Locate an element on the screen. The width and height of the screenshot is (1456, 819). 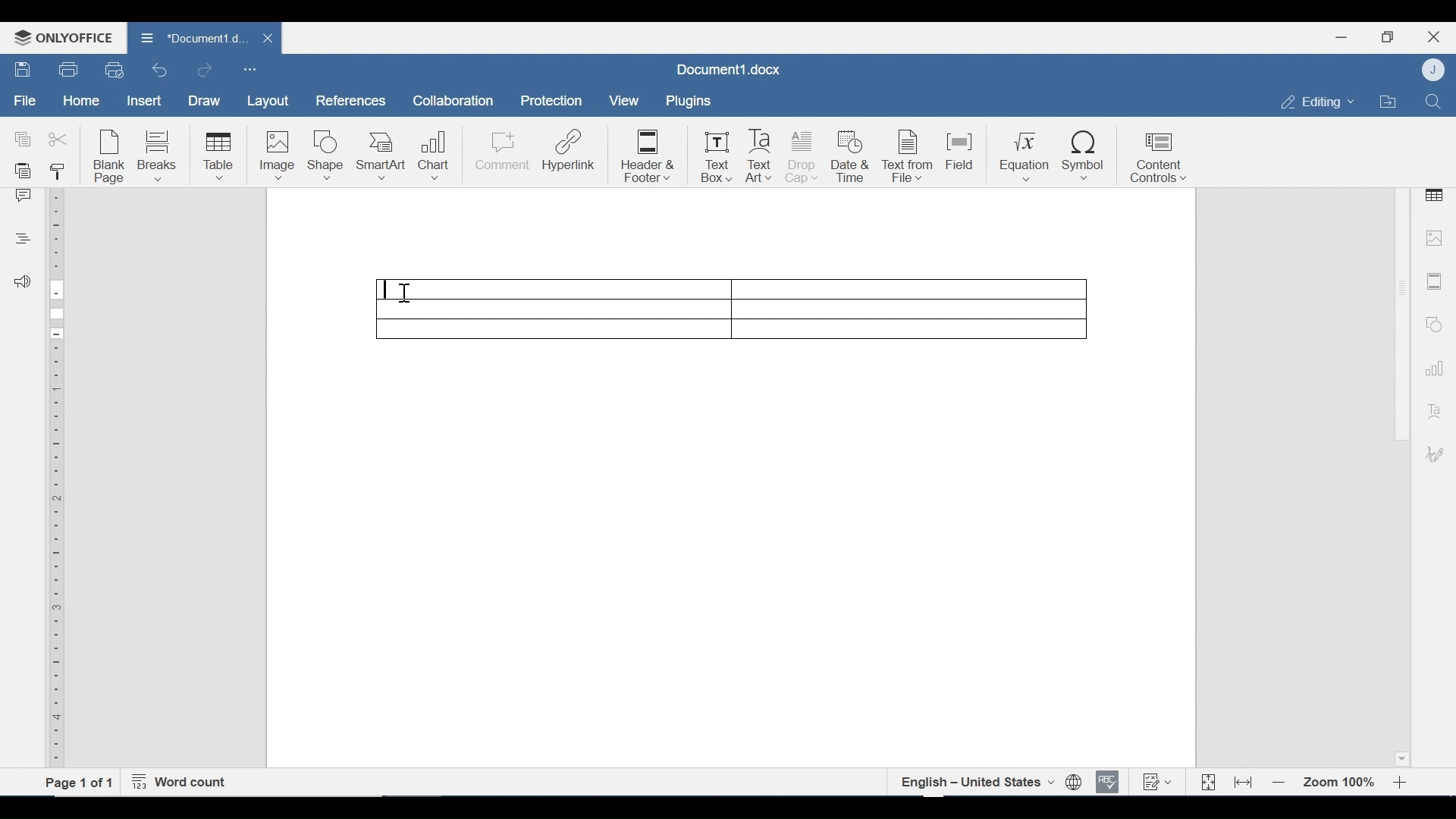
Draw is located at coordinates (204, 101).